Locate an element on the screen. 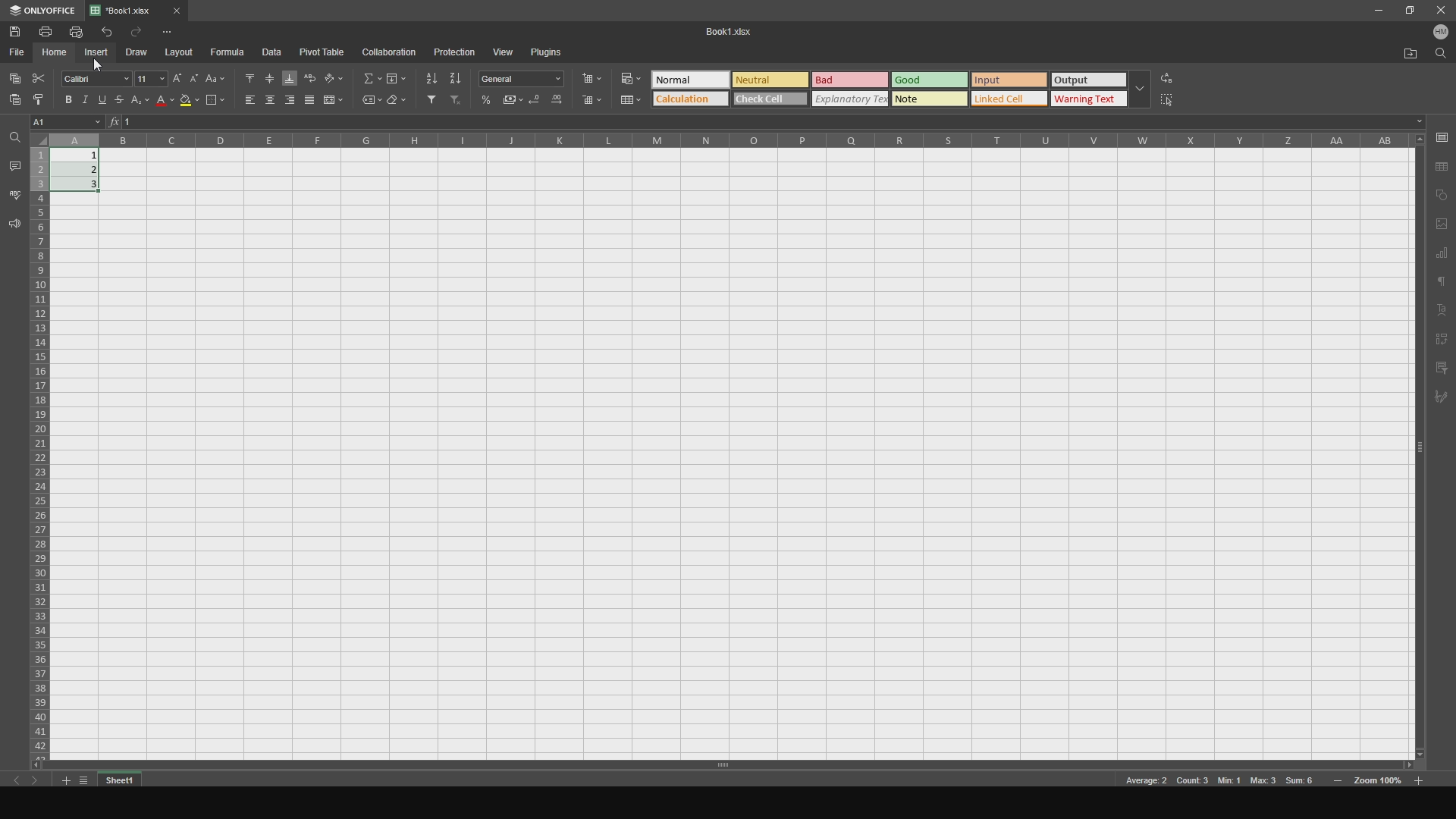 This screenshot has width=1456, height=819. italic is located at coordinates (86, 98).